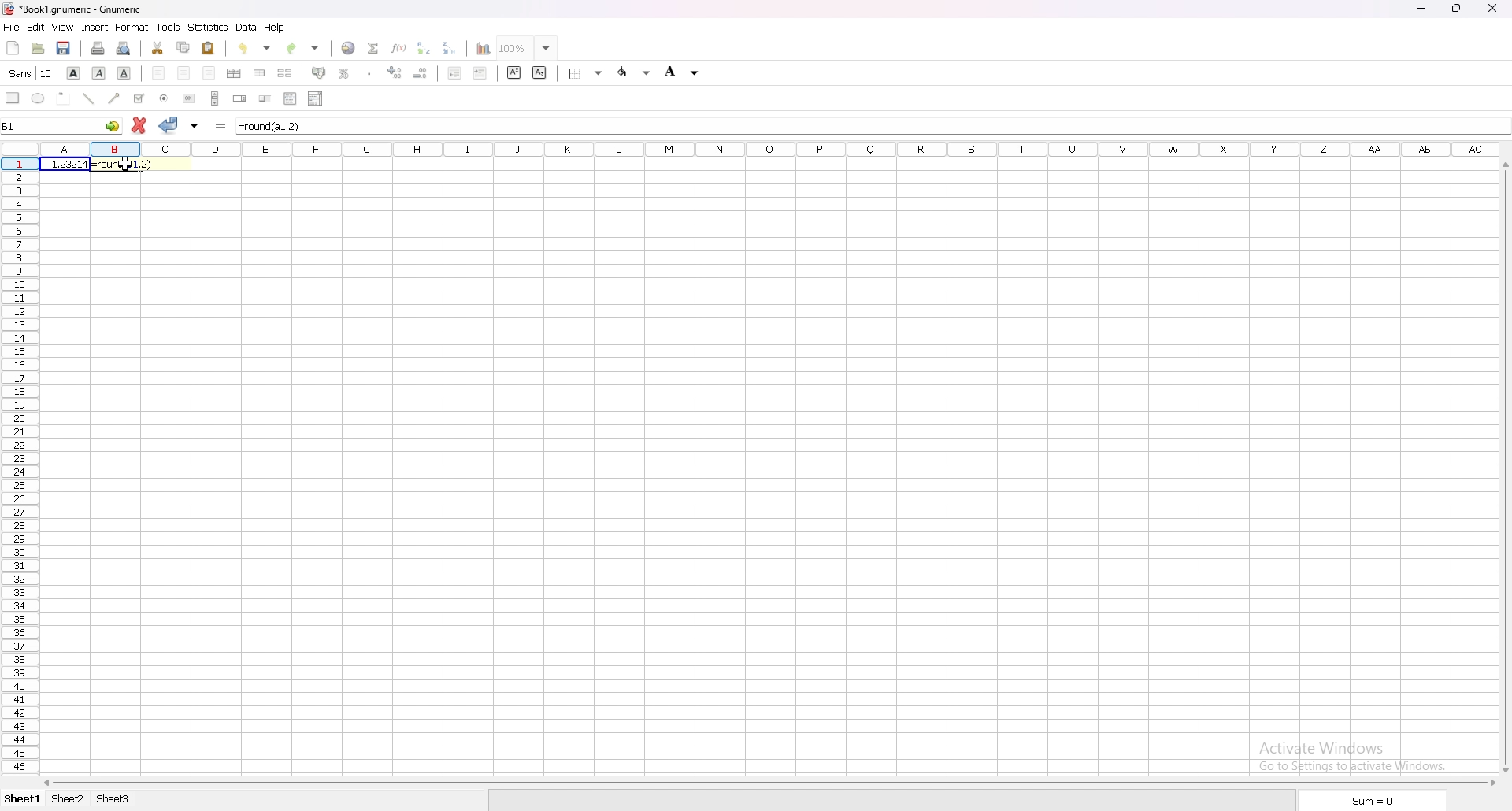 The image size is (1512, 811). What do you see at coordinates (94, 28) in the screenshot?
I see `insert` at bounding box center [94, 28].